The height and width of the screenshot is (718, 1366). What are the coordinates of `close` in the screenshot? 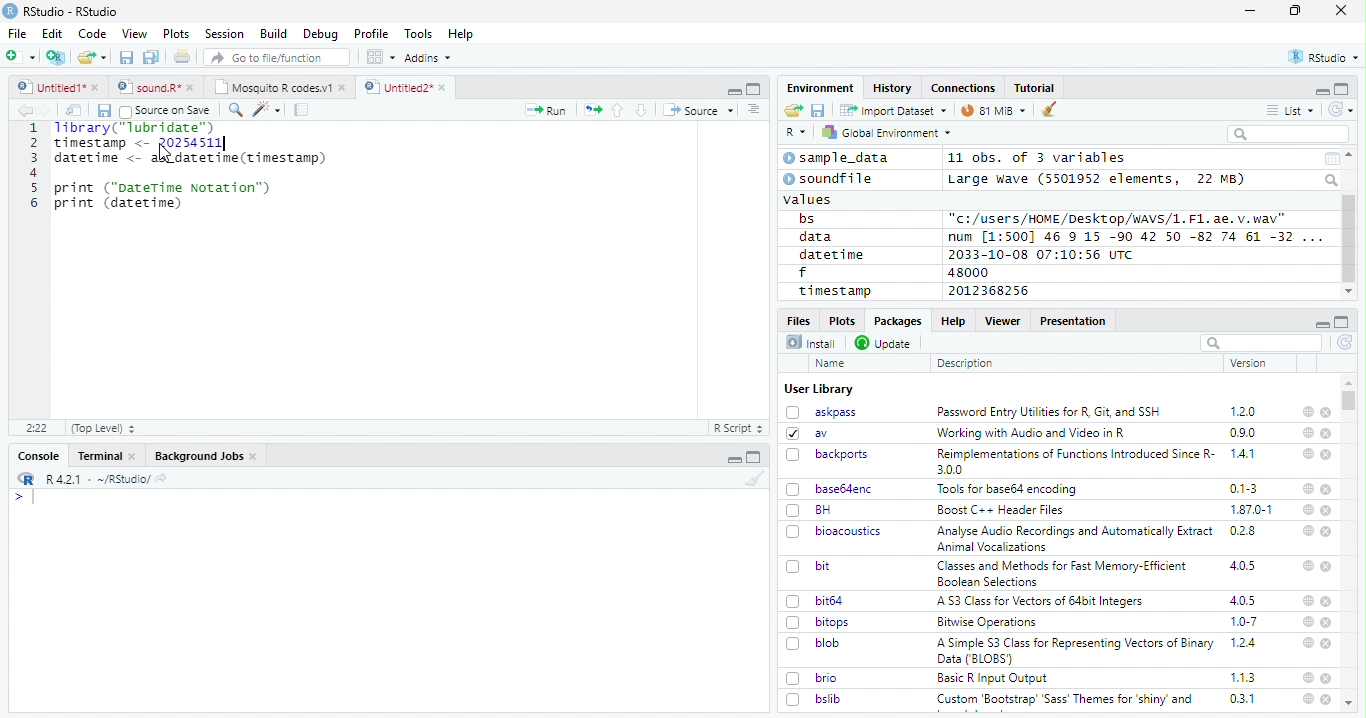 It's located at (1327, 434).